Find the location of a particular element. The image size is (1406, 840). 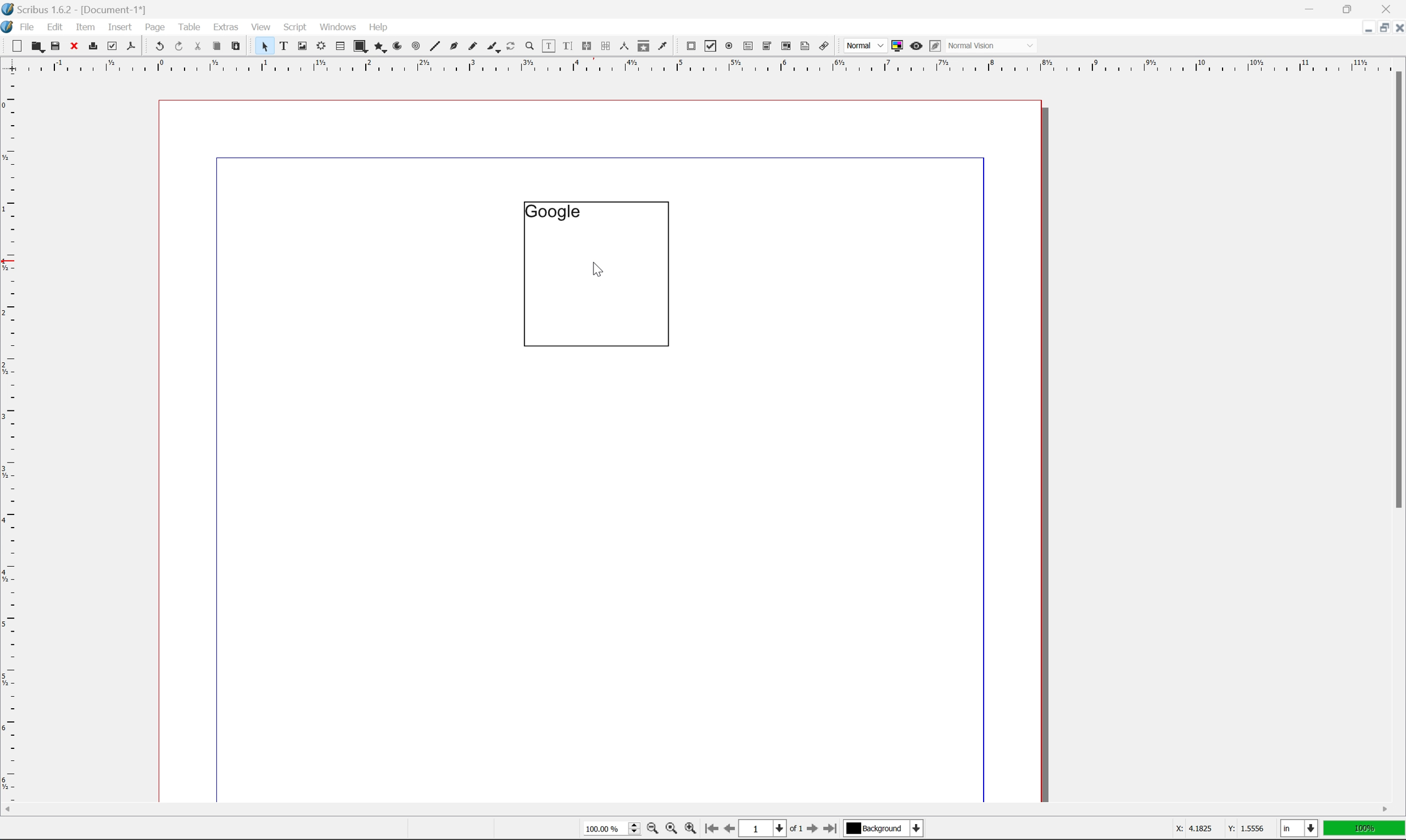

edit is located at coordinates (57, 27).